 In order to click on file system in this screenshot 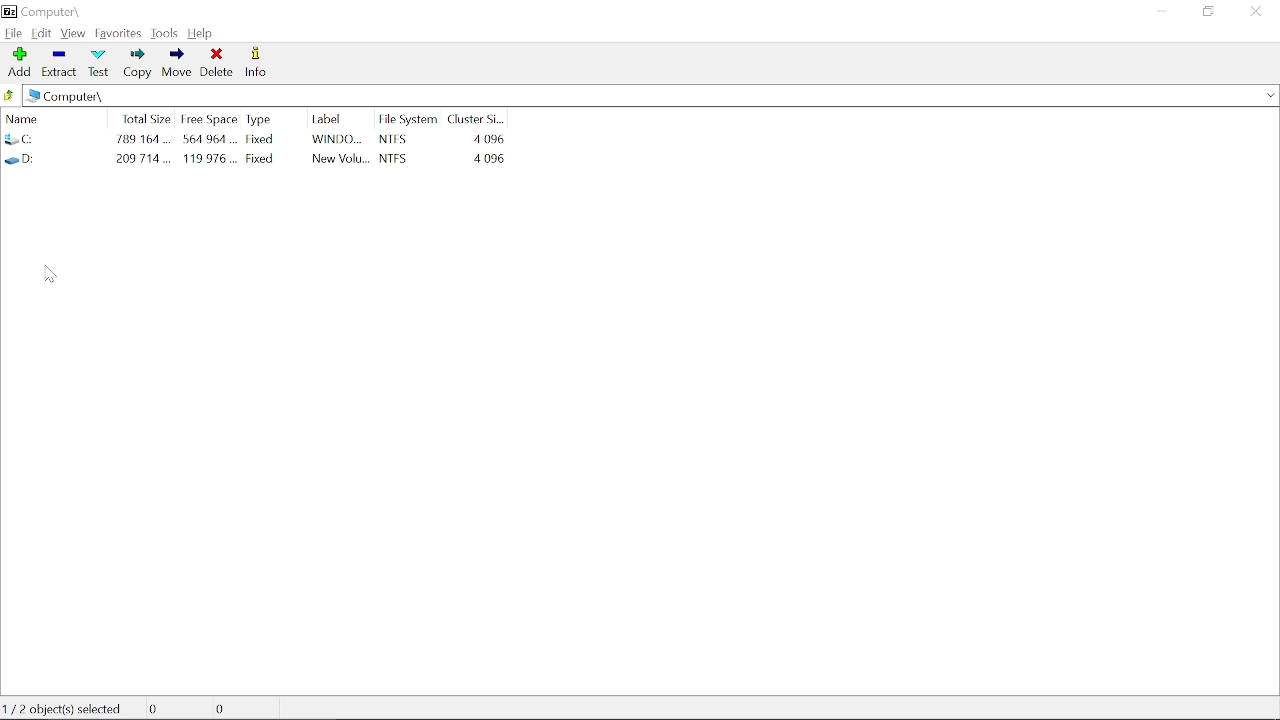, I will do `click(408, 118)`.